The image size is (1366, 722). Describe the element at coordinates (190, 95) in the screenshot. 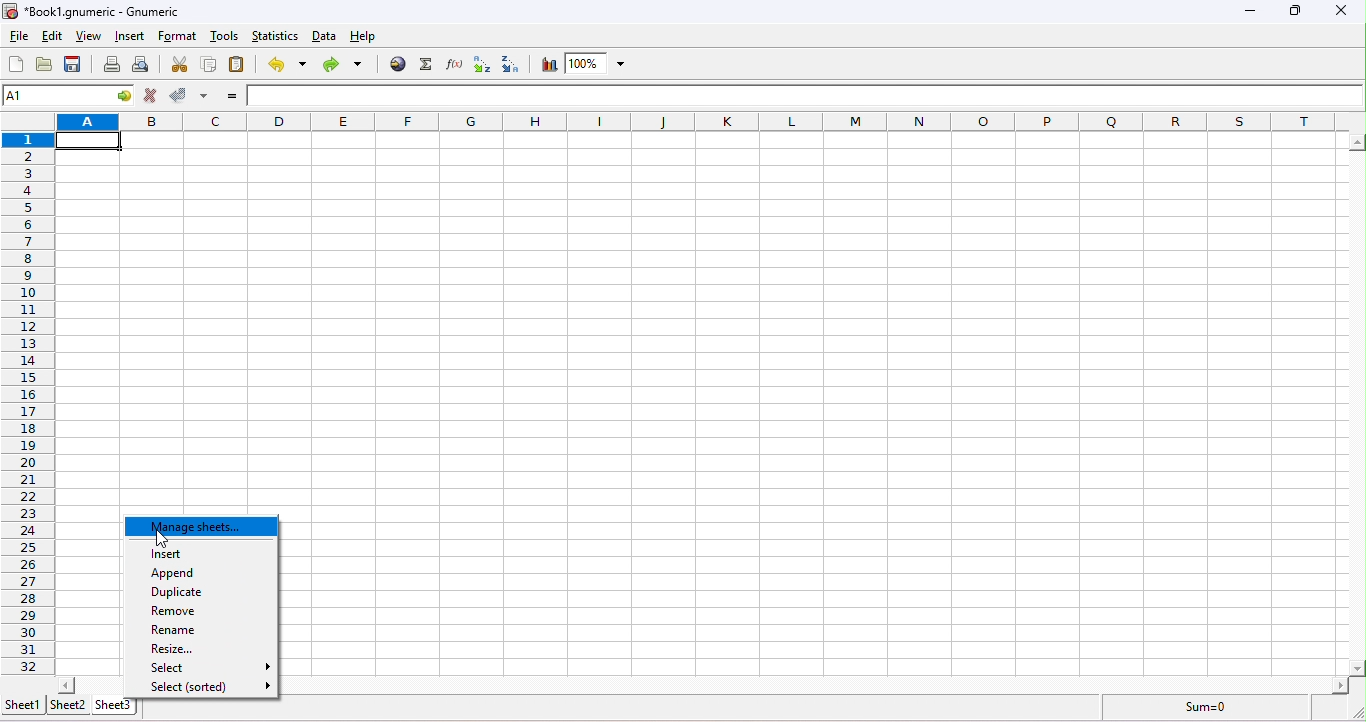

I see `accept change` at that location.